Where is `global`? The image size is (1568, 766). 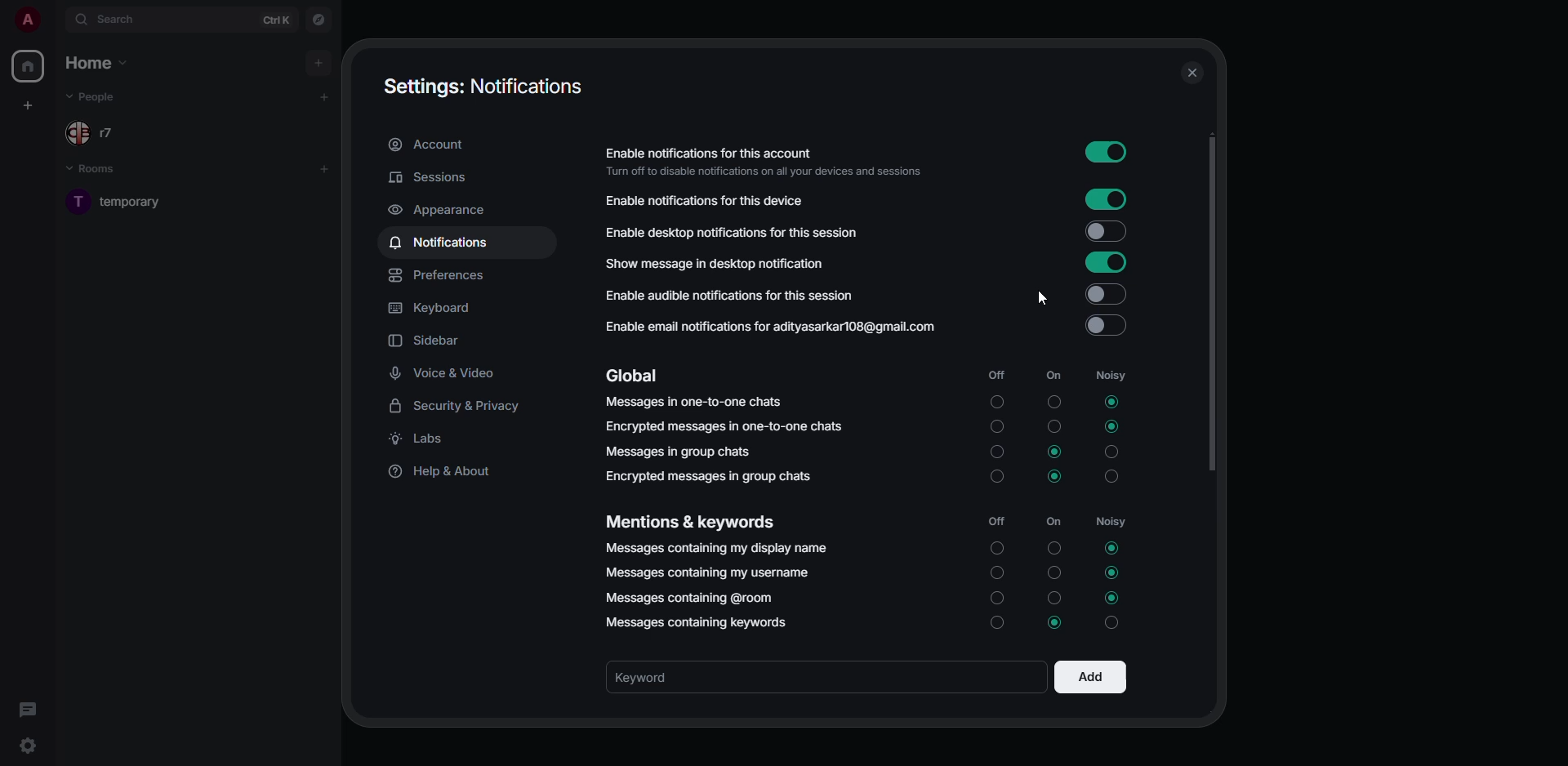
global is located at coordinates (637, 375).